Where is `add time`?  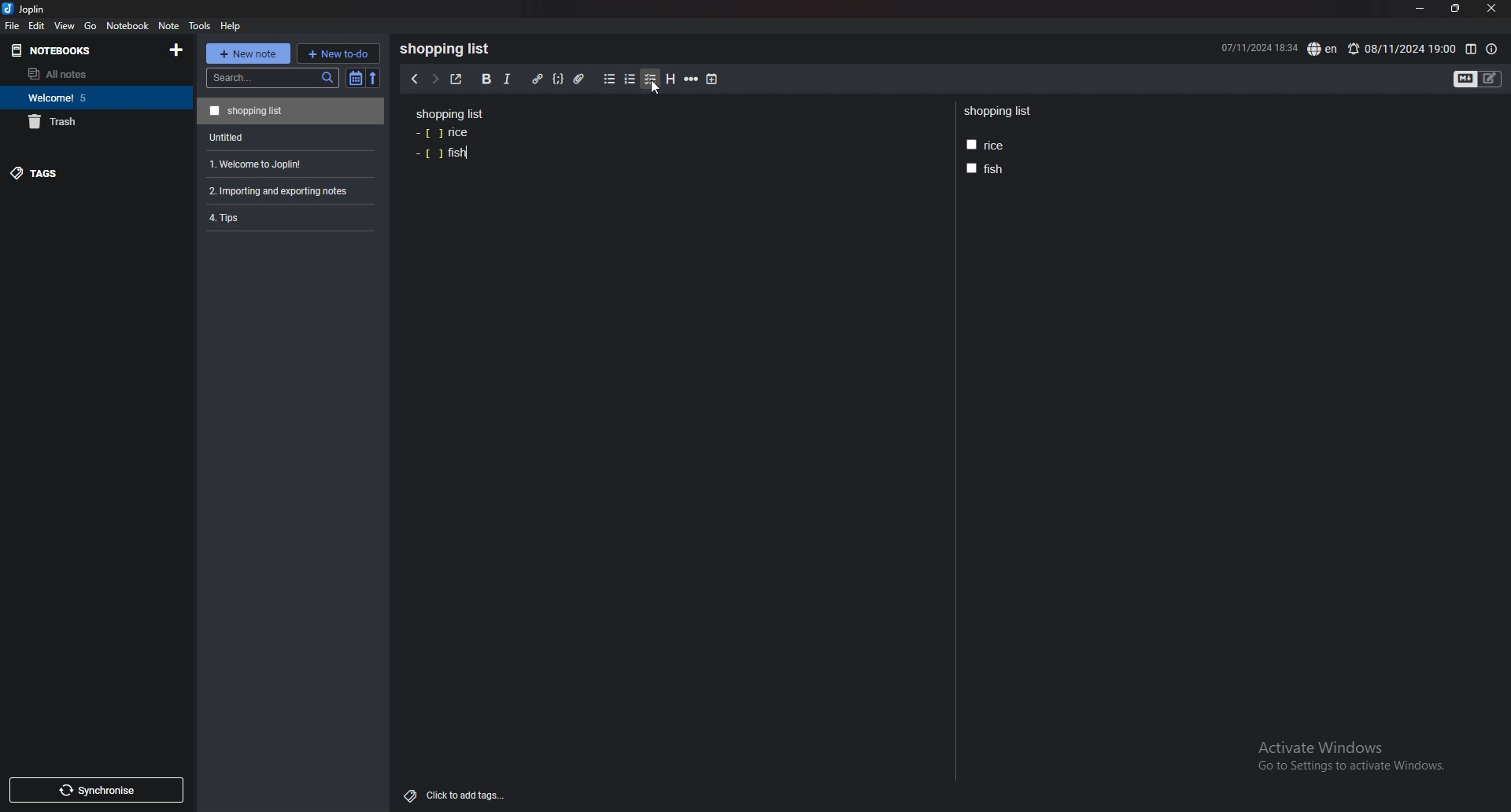 add time is located at coordinates (713, 79).